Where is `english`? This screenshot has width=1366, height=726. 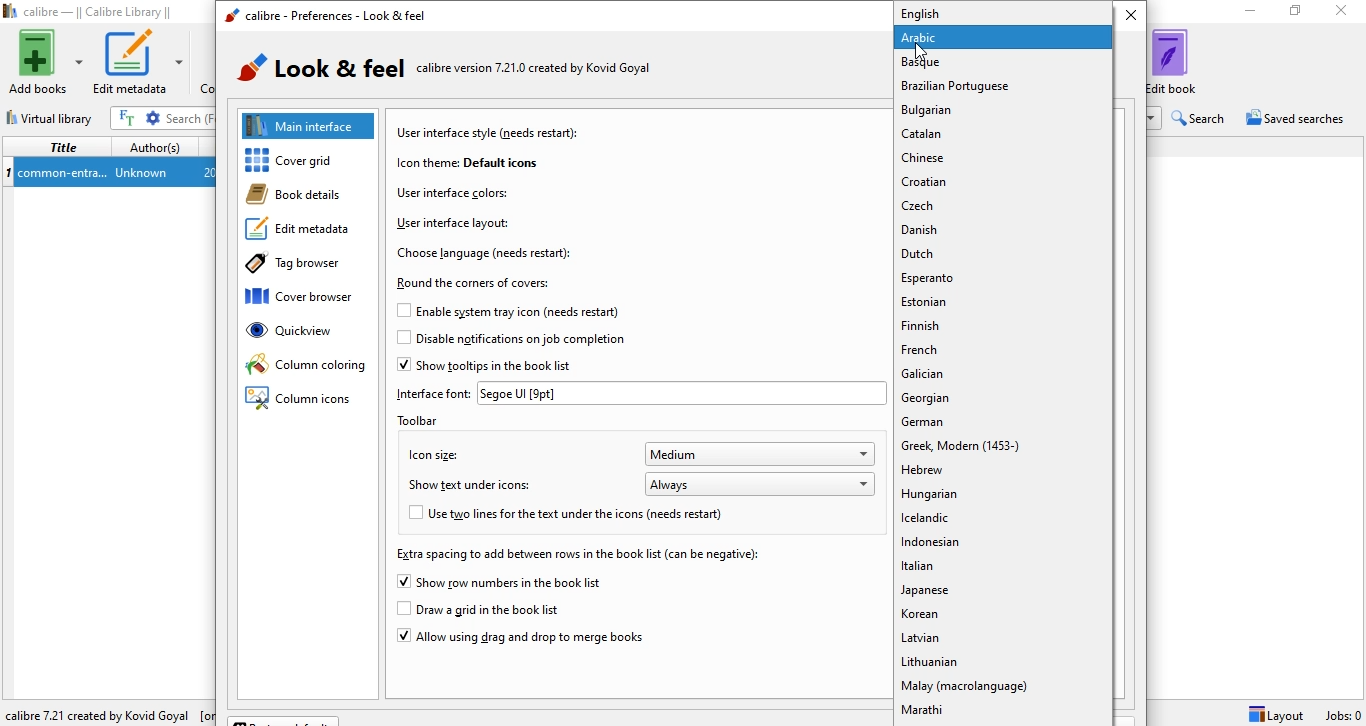 english is located at coordinates (998, 14).